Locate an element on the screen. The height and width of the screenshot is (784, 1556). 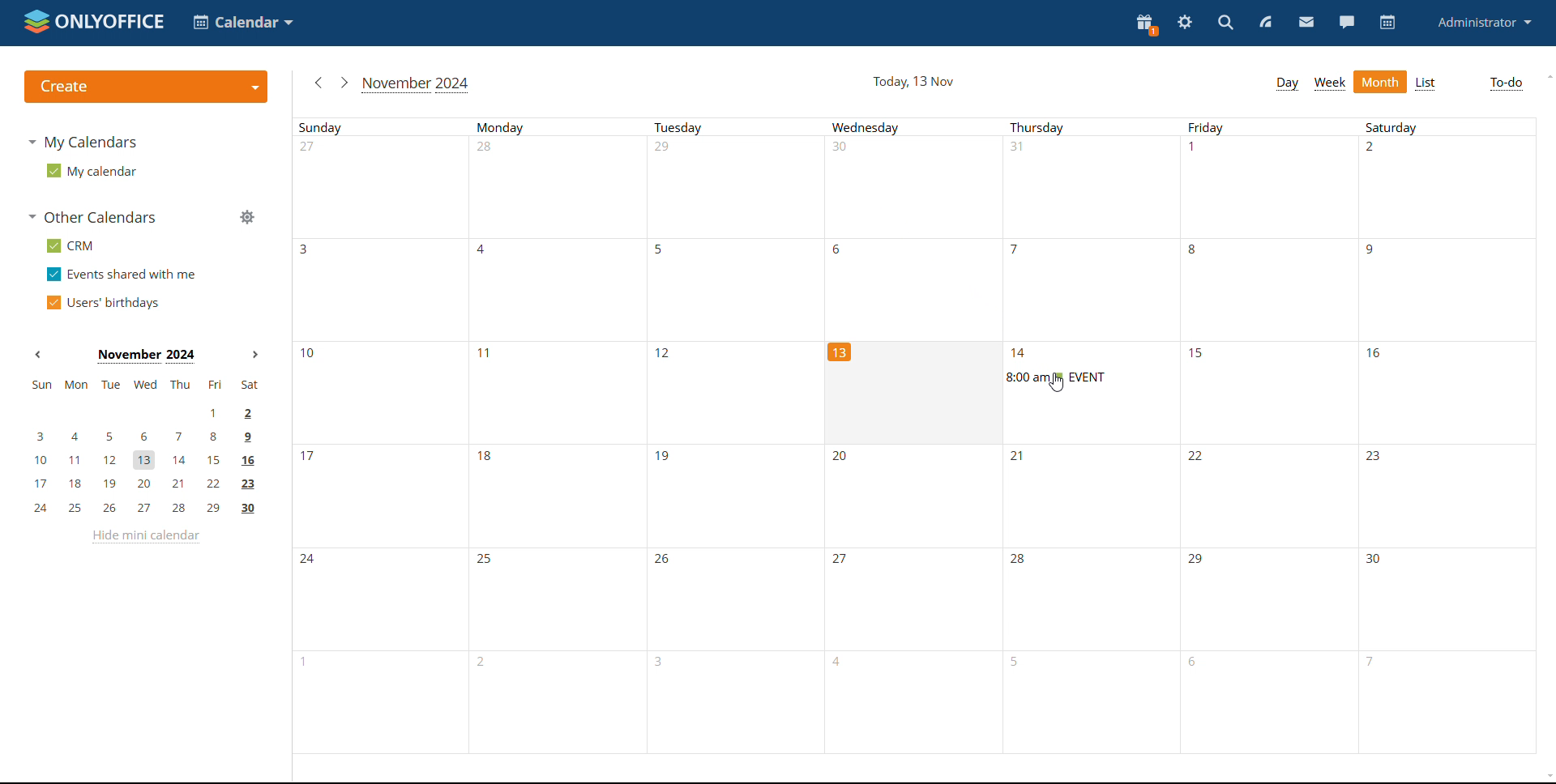
my calendars is located at coordinates (86, 143).